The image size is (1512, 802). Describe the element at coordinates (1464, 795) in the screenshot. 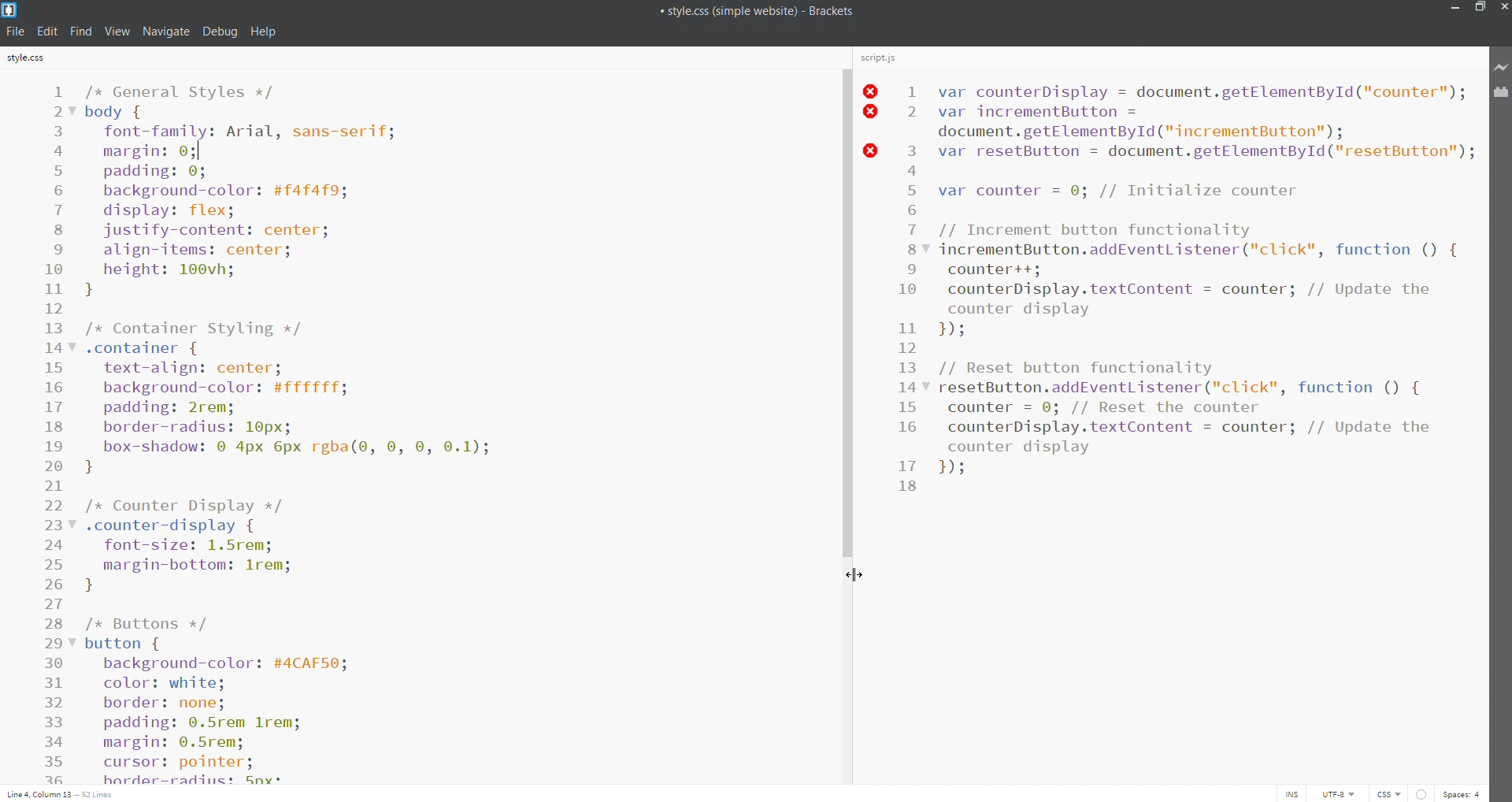

I see `space count` at that location.